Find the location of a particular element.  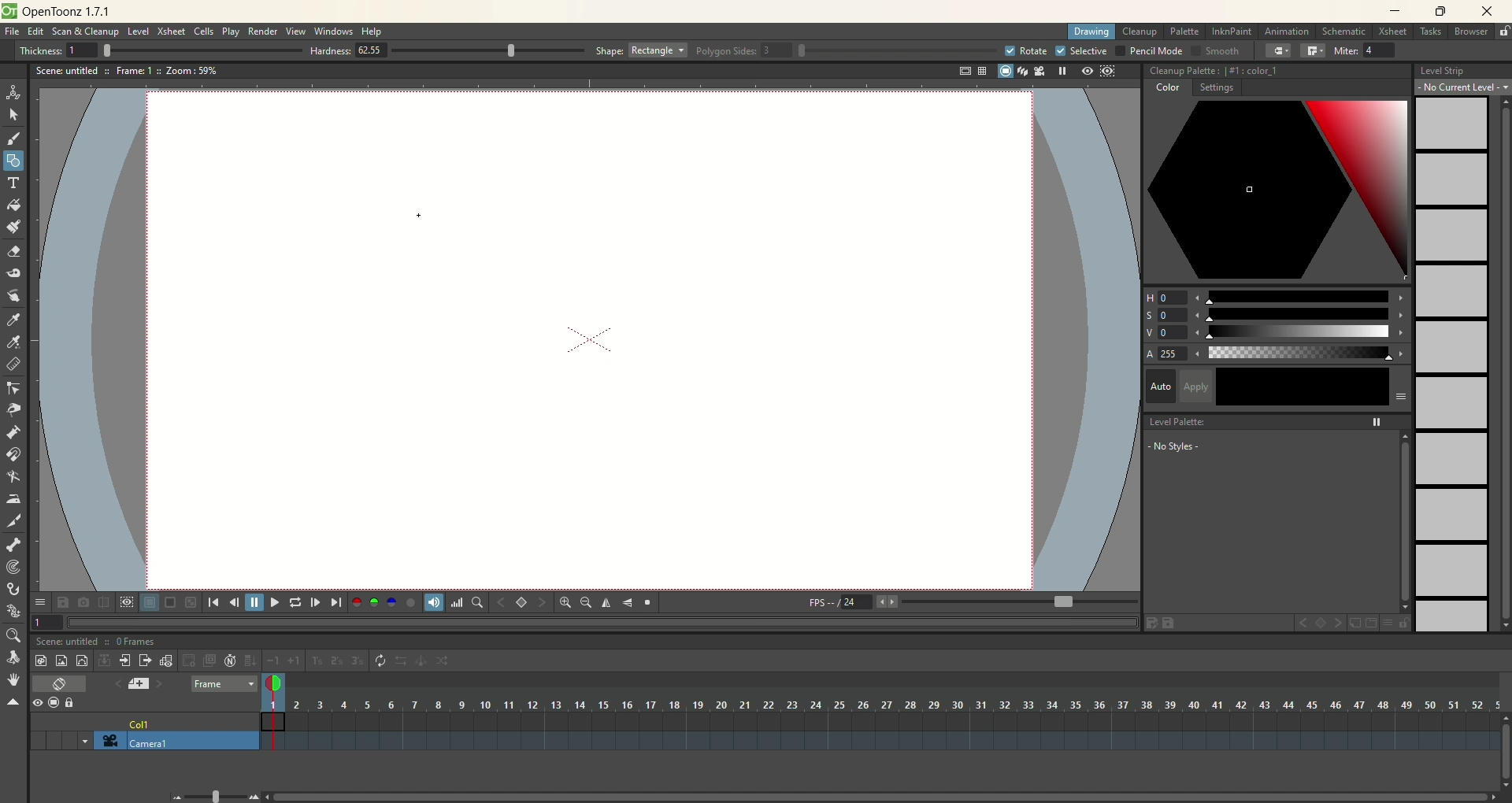

hue is located at coordinates (1277, 294).